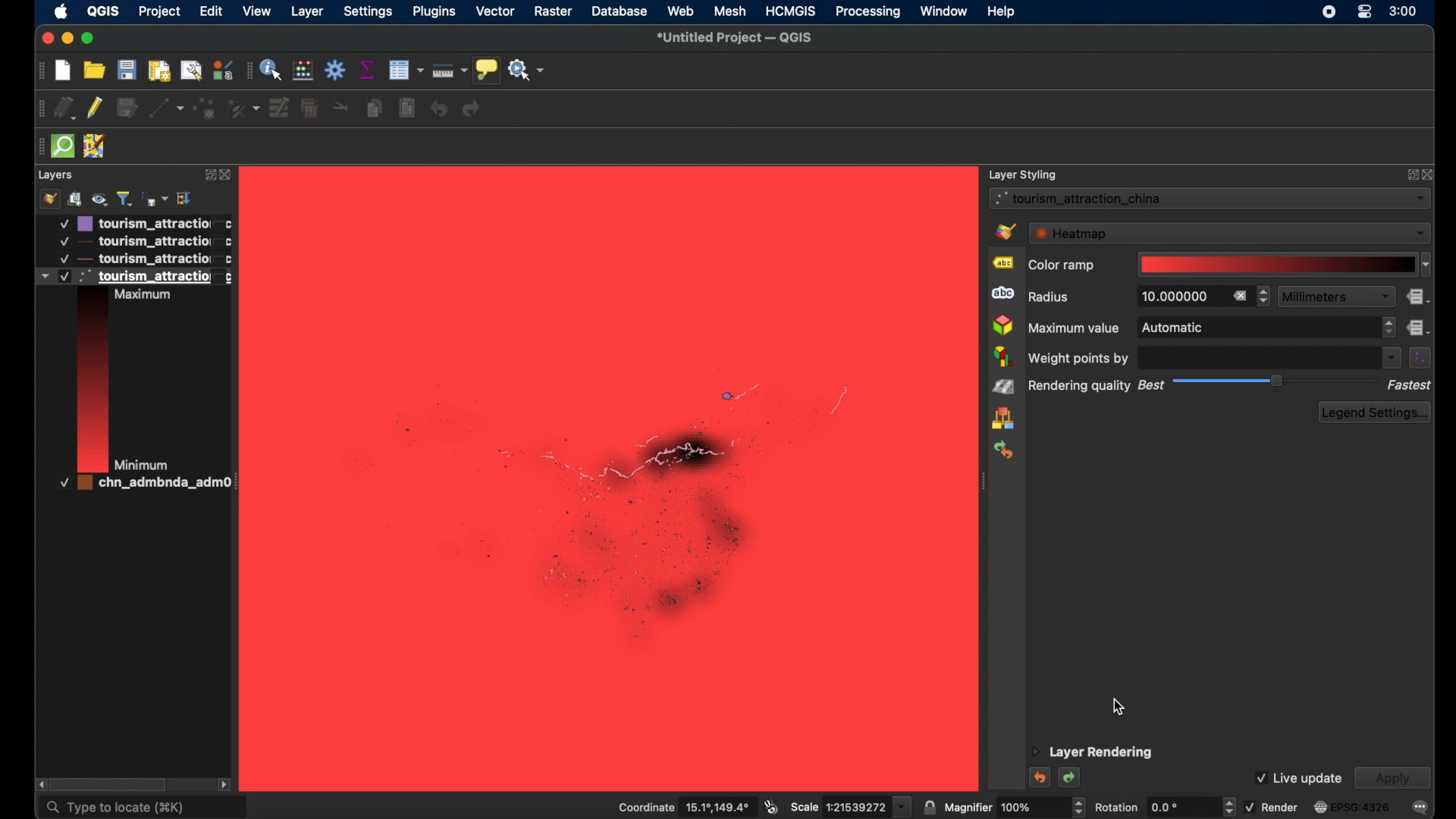 The height and width of the screenshot is (819, 1456). What do you see at coordinates (136, 259) in the screenshot?
I see `layer 3` at bounding box center [136, 259].